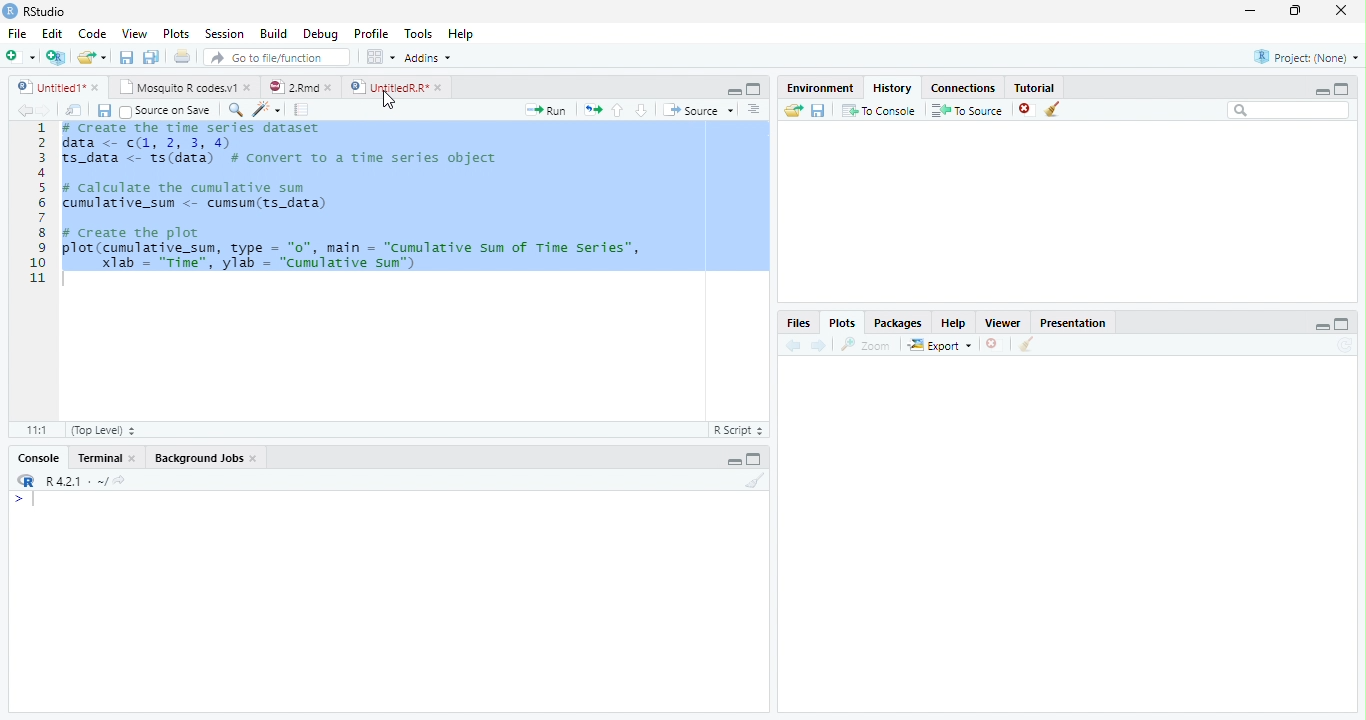 This screenshot has height=720, width=1366. I want to click on Input Cursor, so click(41, 496).